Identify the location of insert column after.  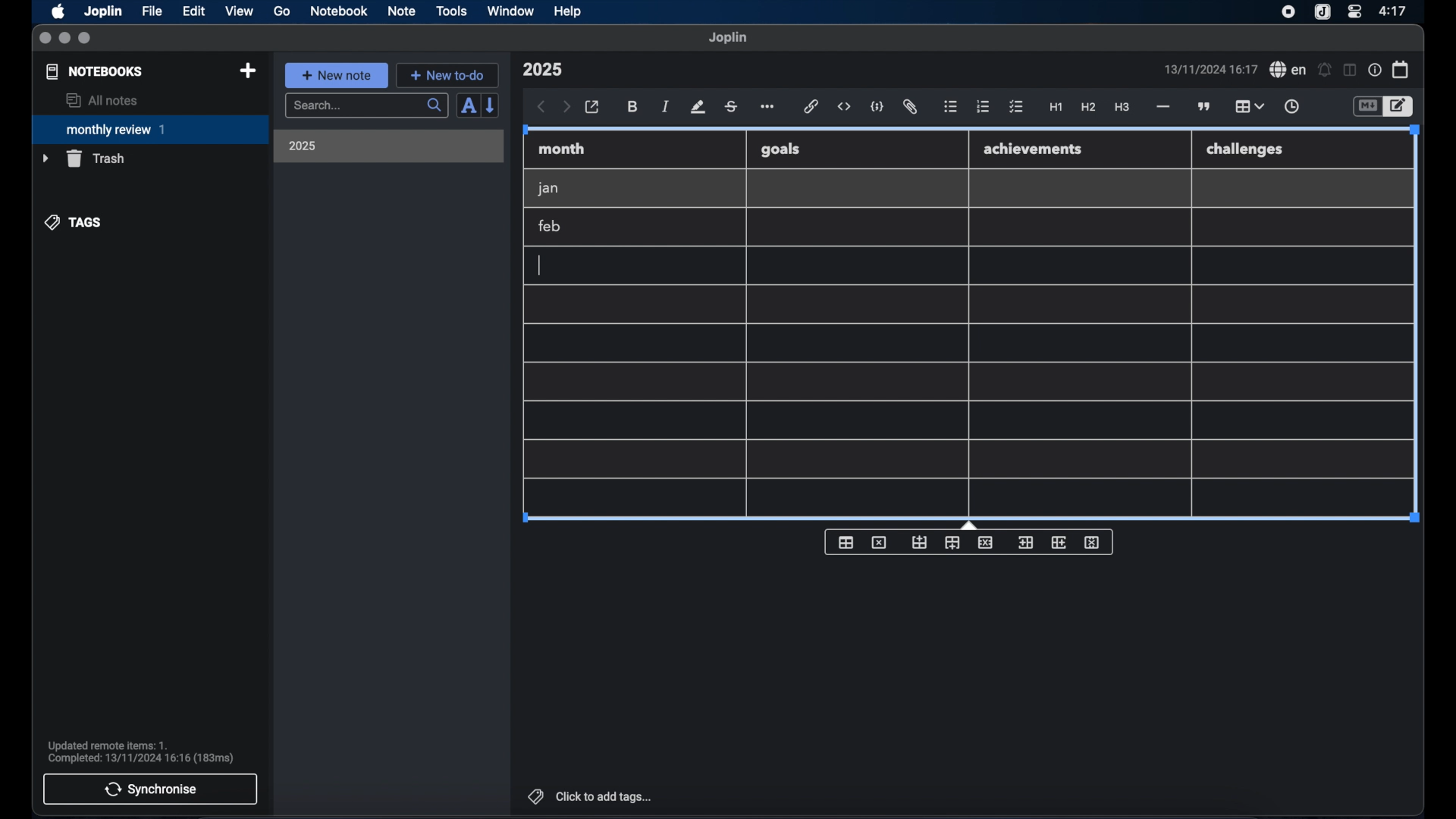
(1059, 542).